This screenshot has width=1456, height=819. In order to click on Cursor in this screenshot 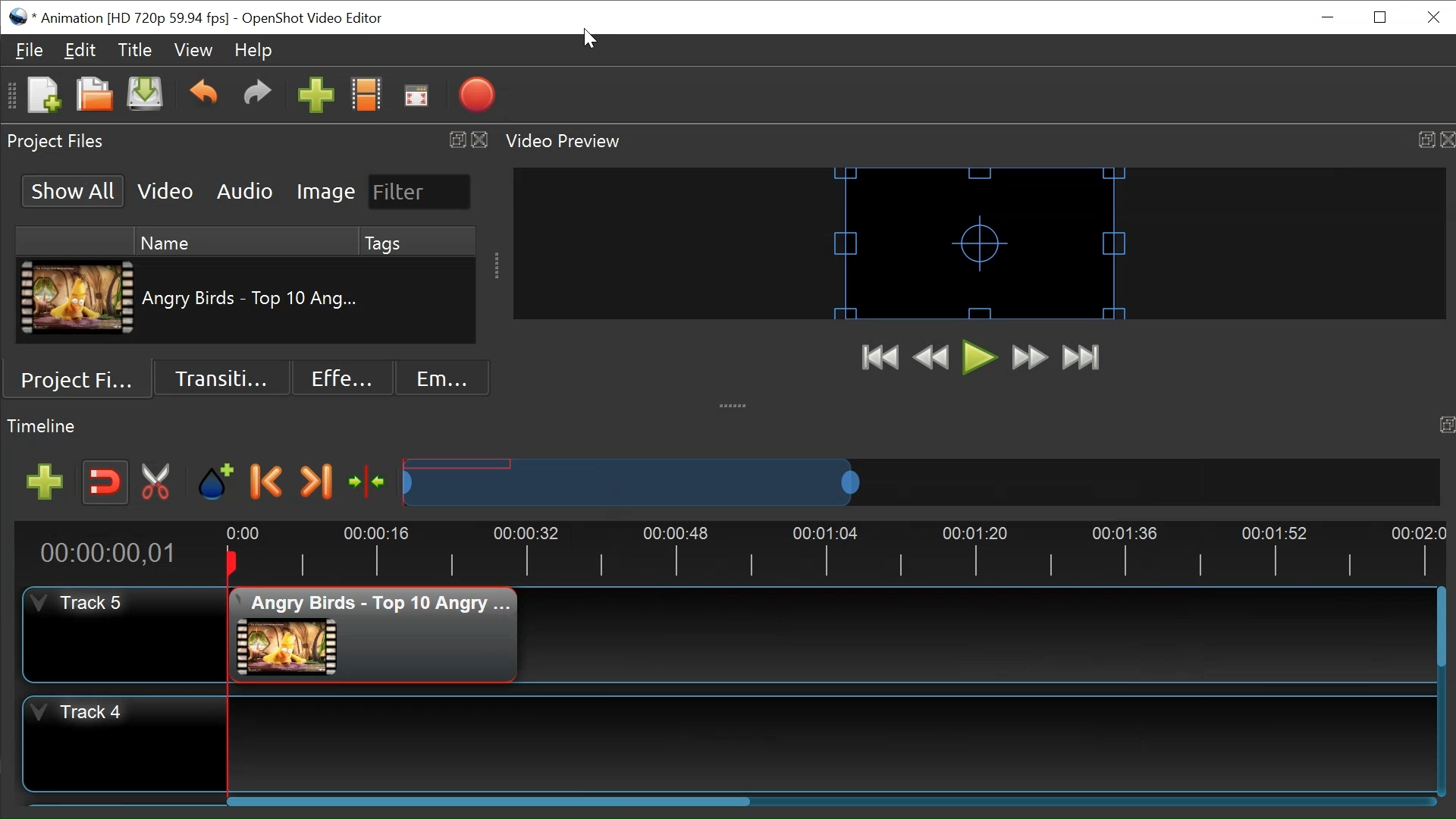, I will do `click(586, 42)`.